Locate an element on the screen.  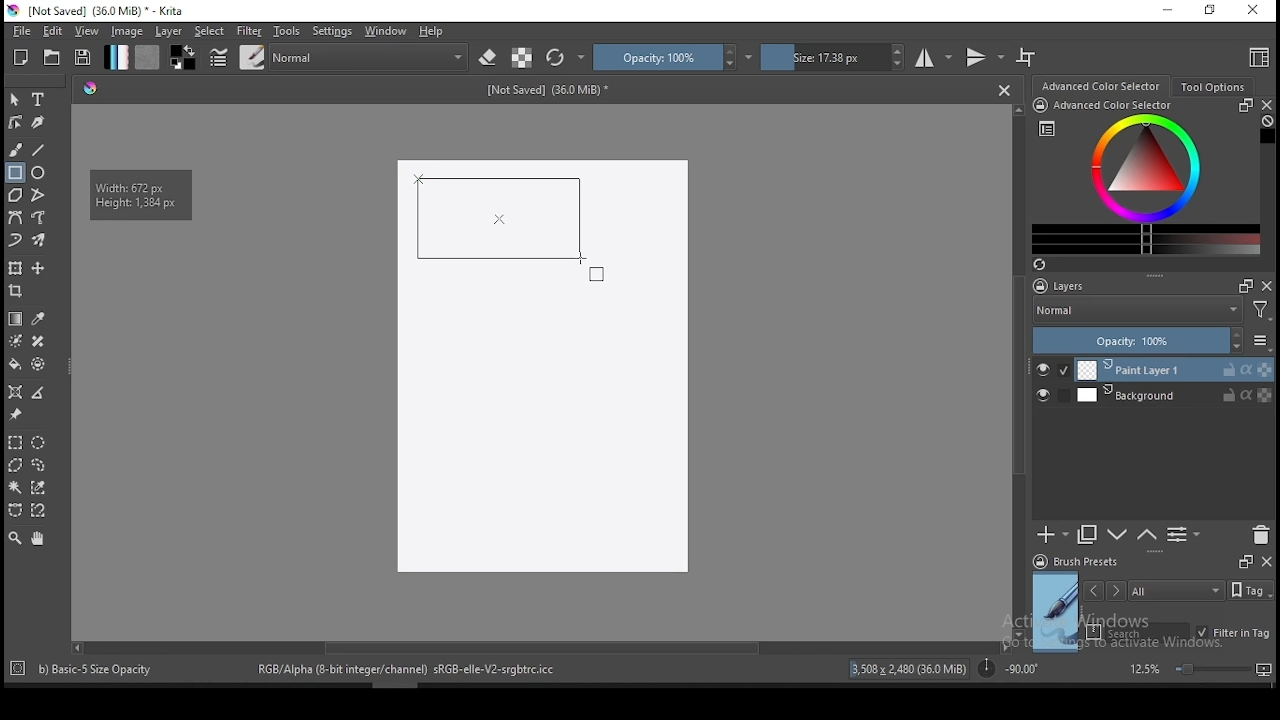
pan tool is located at coordinates (36, 539).